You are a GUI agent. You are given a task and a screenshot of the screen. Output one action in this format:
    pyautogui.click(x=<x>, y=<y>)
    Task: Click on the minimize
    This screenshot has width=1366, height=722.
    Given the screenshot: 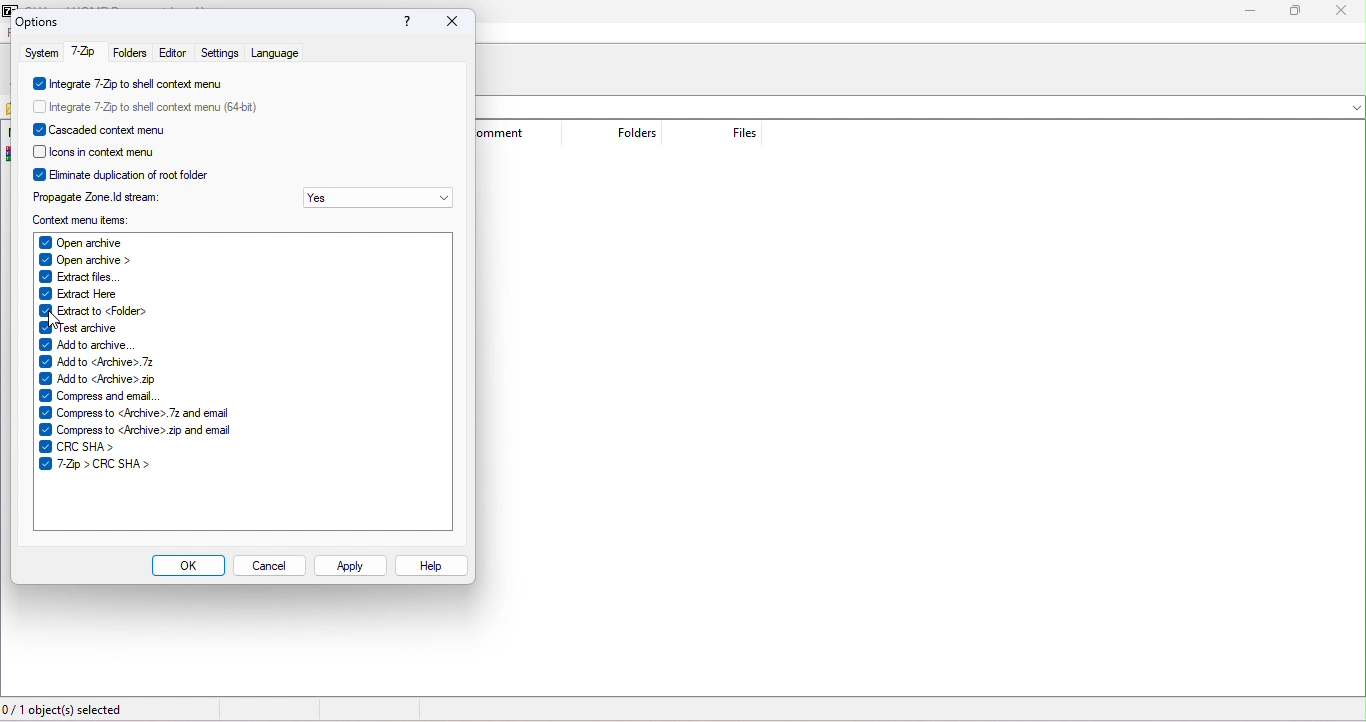 What is the action you would take?
    pyautogui.click(x=1251, y=12)
    